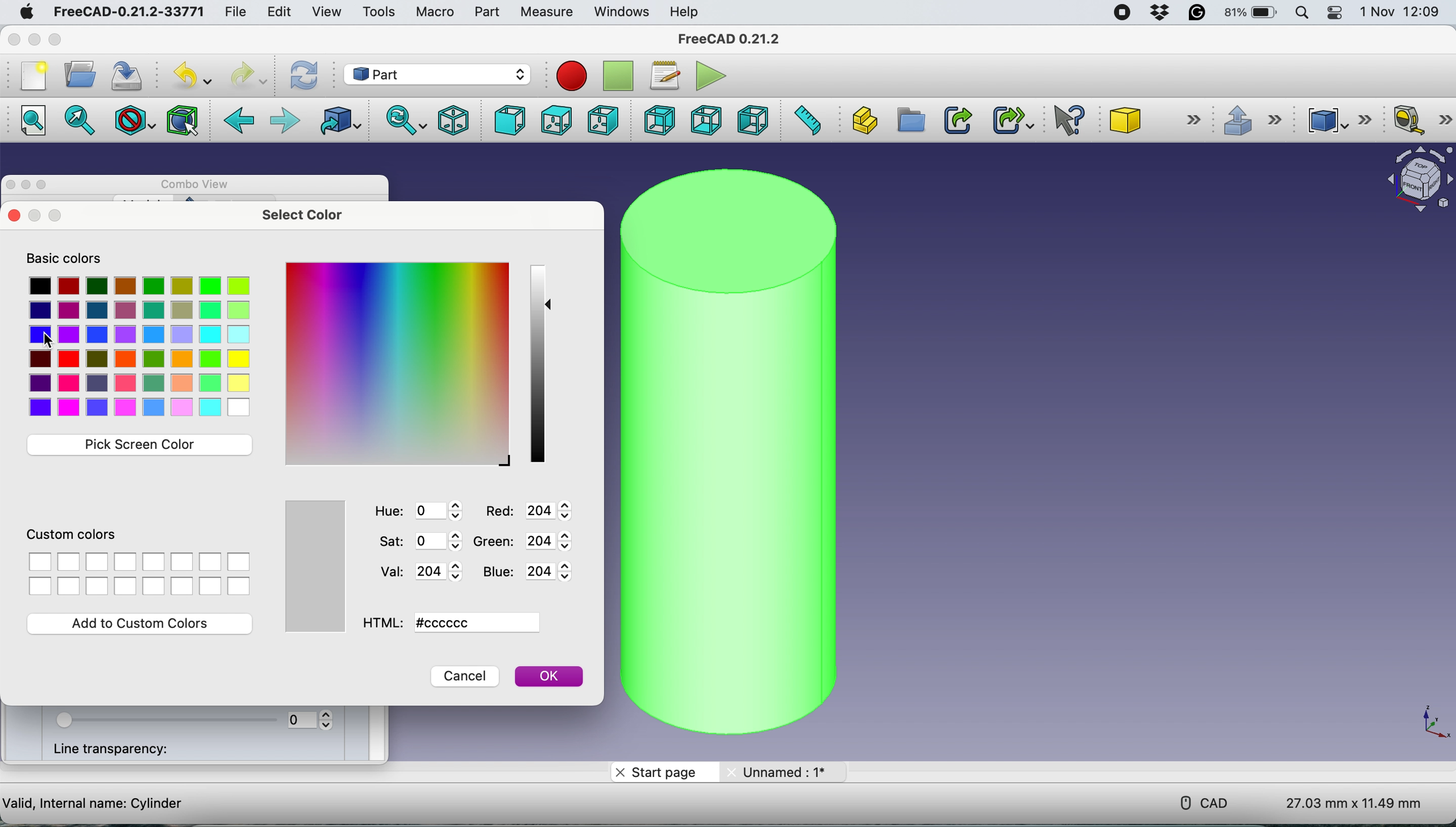  What do you see at coordinates (54, 217) in the screenshot?
I see `maximise` at bounding box center [54, 217].